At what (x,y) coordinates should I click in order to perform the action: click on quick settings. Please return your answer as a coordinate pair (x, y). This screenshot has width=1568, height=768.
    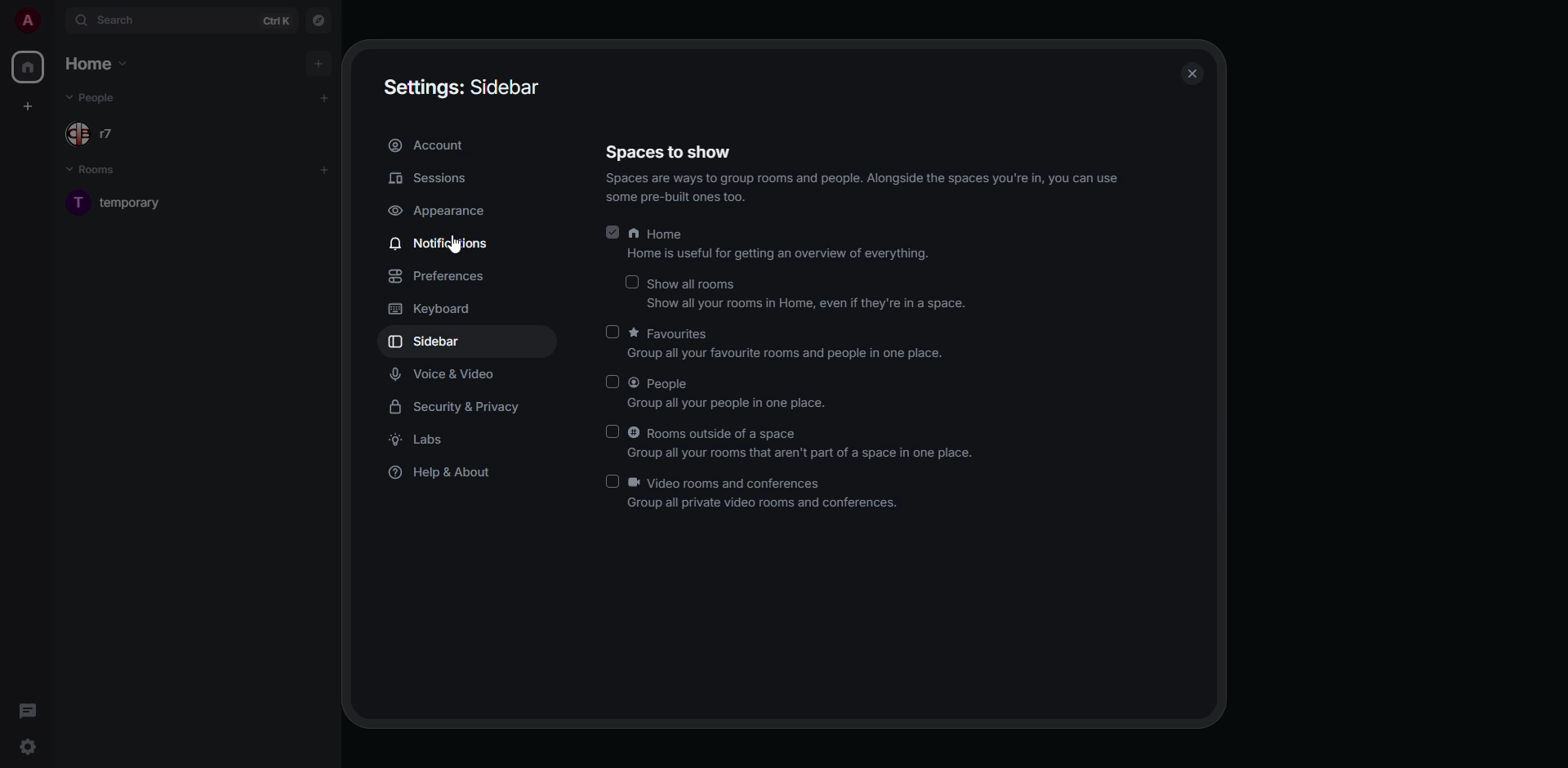
    Looking at the image, I should click on (28, 746).